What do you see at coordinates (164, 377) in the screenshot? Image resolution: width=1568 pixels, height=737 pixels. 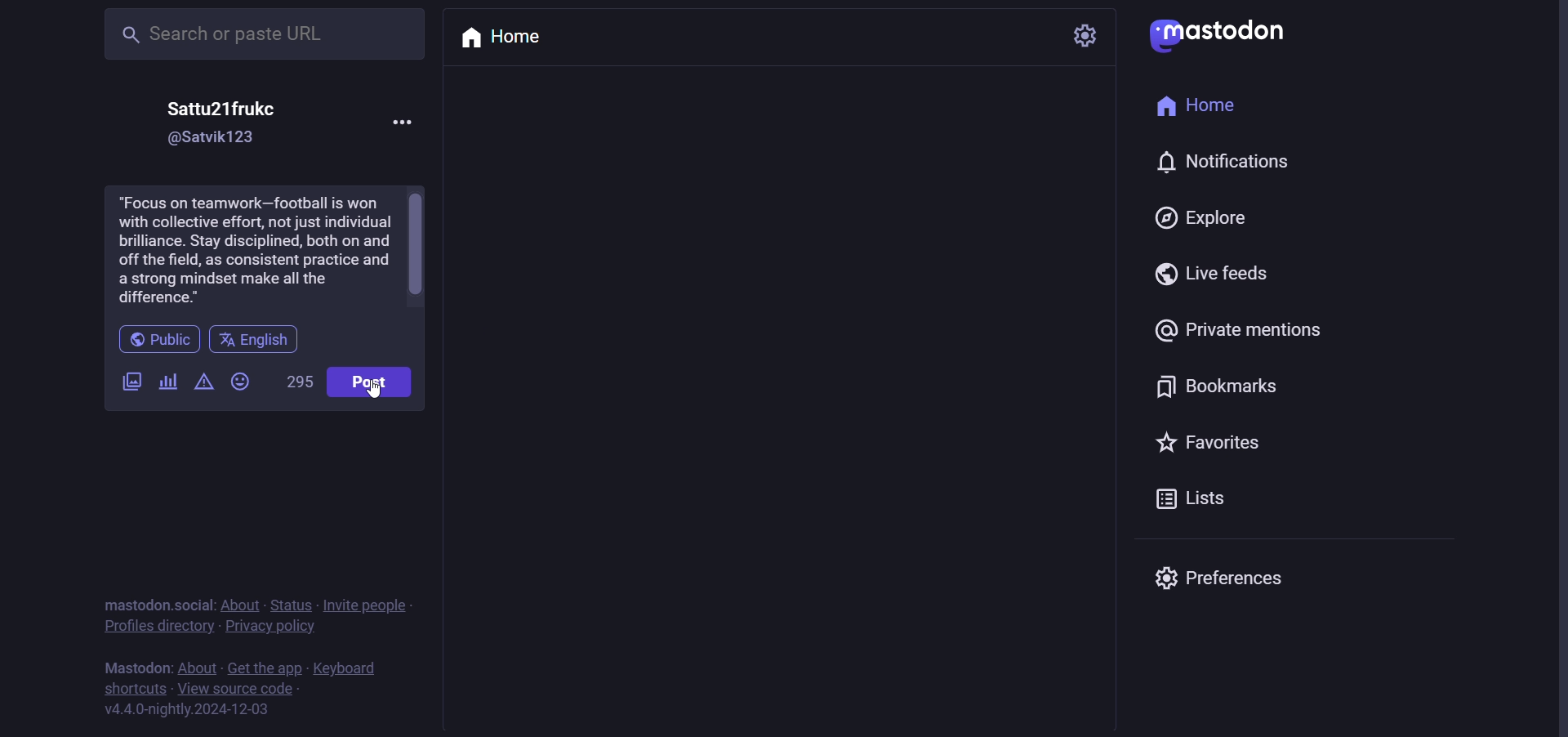 I see `poll` at bounding box center [164, 377].